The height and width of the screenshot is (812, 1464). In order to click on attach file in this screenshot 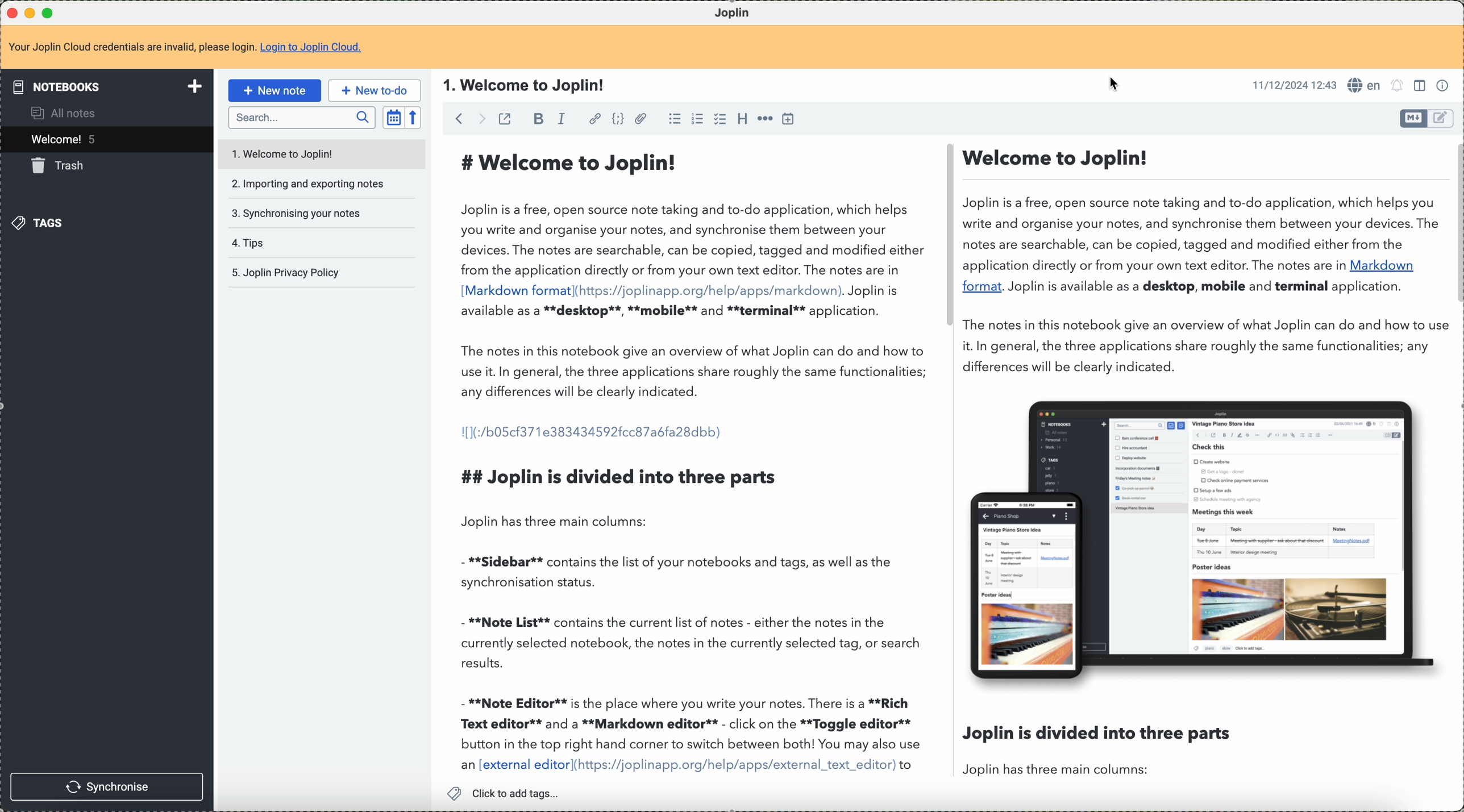, I will do `click(640, 119)`.